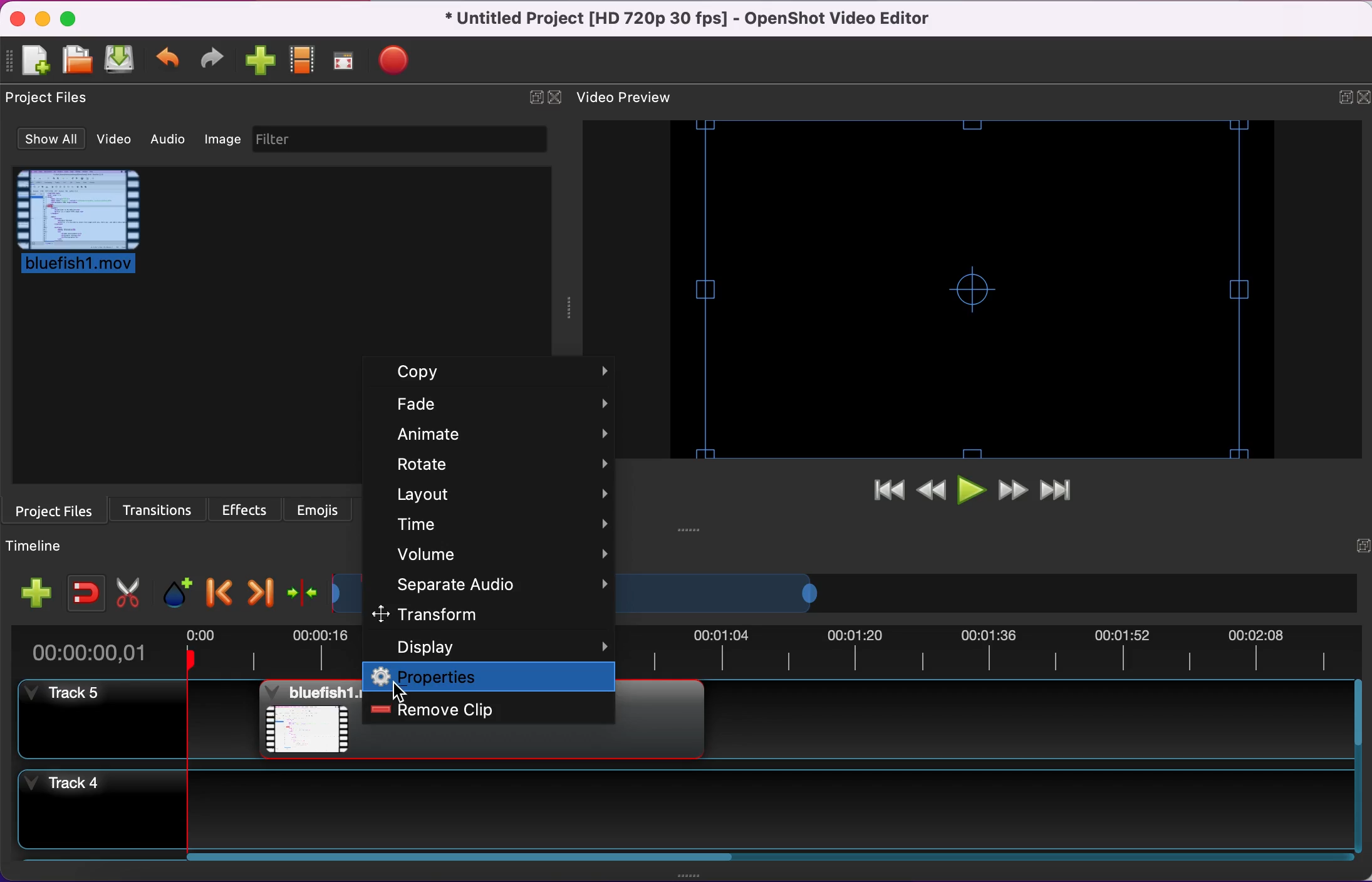 The image size is (1372, 882). I want to click on animate, so click(501, 435).